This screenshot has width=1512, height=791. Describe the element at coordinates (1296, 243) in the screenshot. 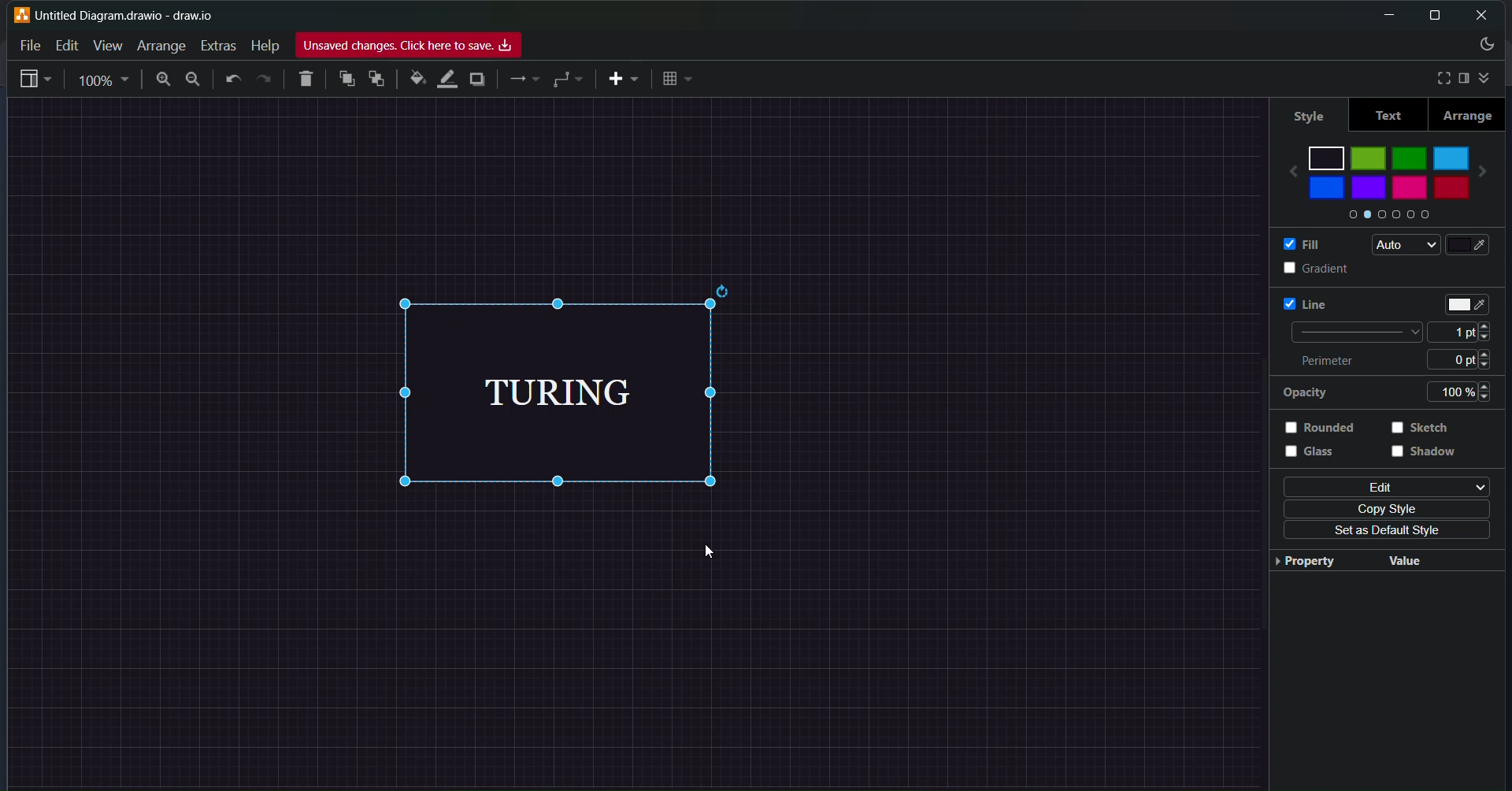

I see `fill` at that location.